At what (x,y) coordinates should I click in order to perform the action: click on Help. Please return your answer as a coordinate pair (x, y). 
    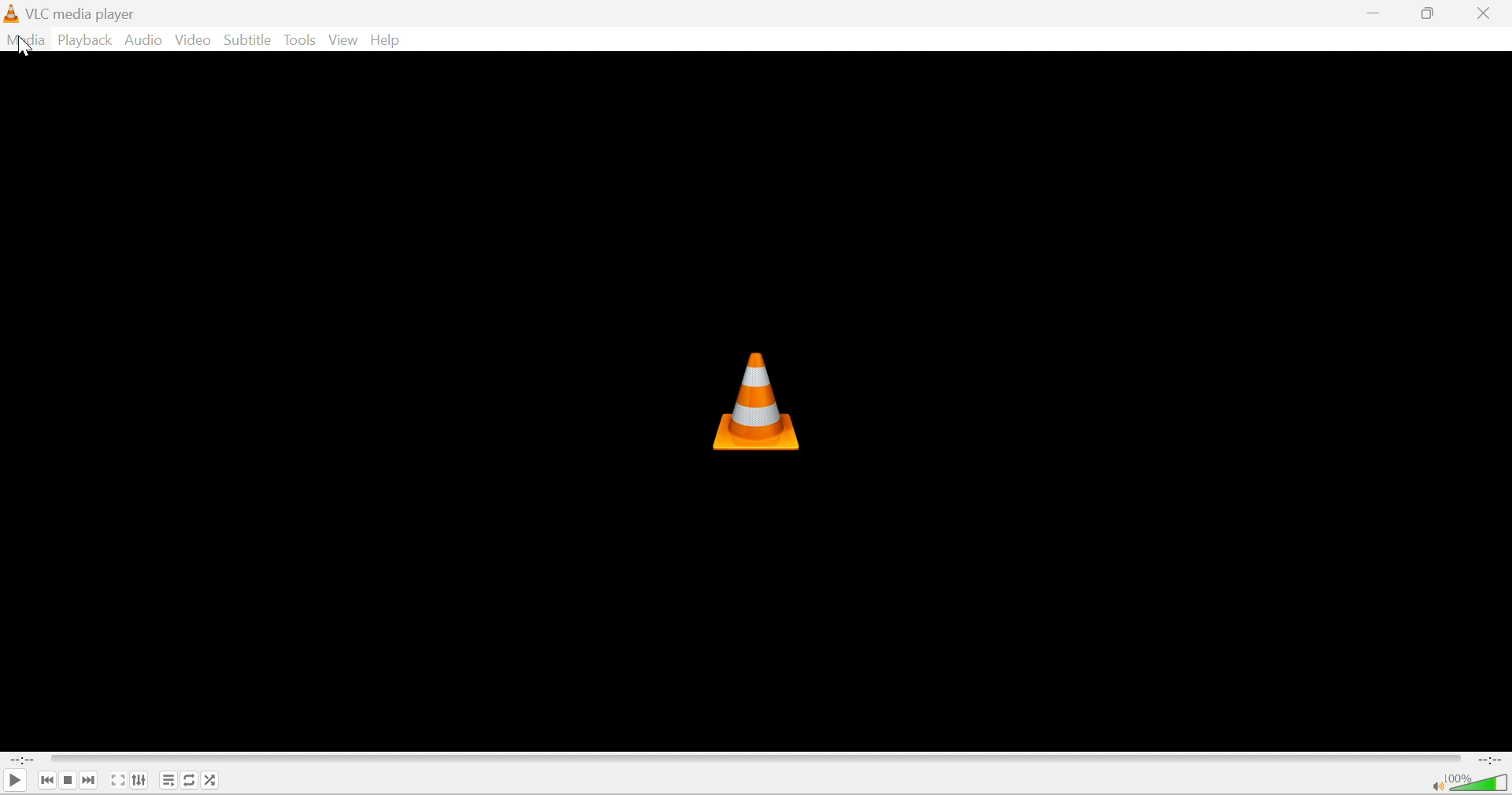
    Looking at the image, I should click on (387, 41).